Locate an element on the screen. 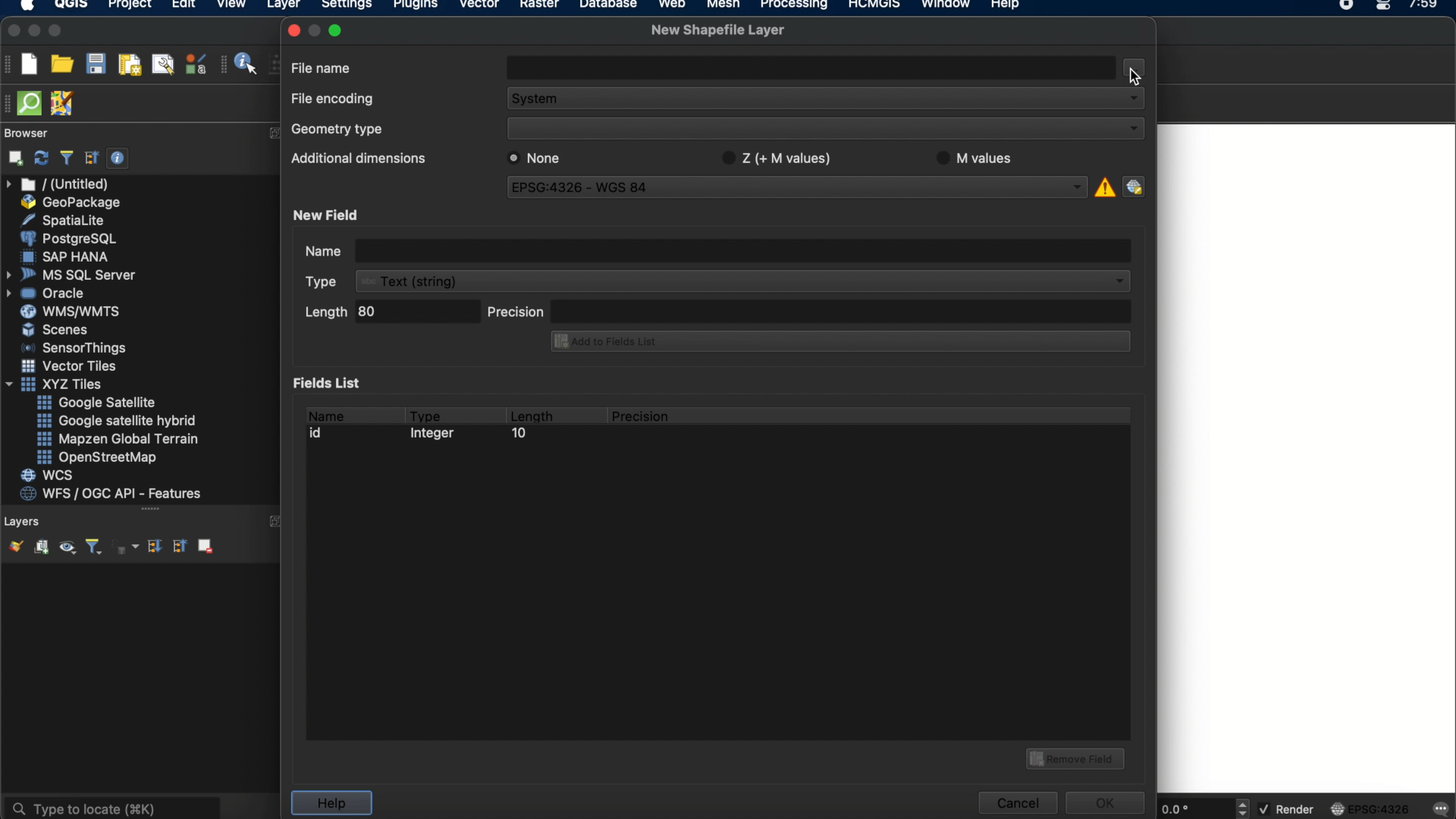 The image size is (1456, 819). sap hana is located at coordinates (67, 256).